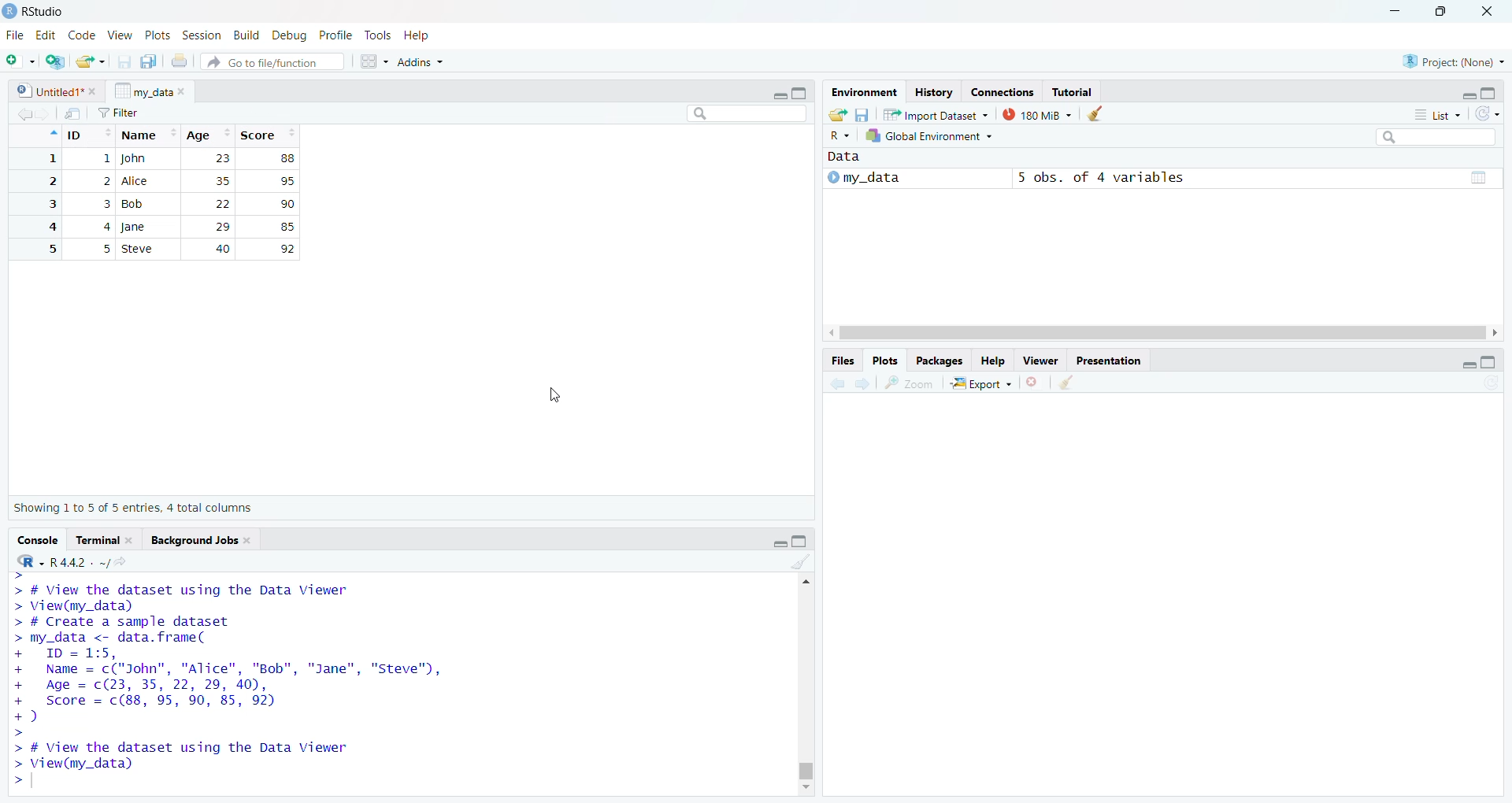  Describe the element at coordinates (743, 115) in the screenshot. I see `Search` at that location.